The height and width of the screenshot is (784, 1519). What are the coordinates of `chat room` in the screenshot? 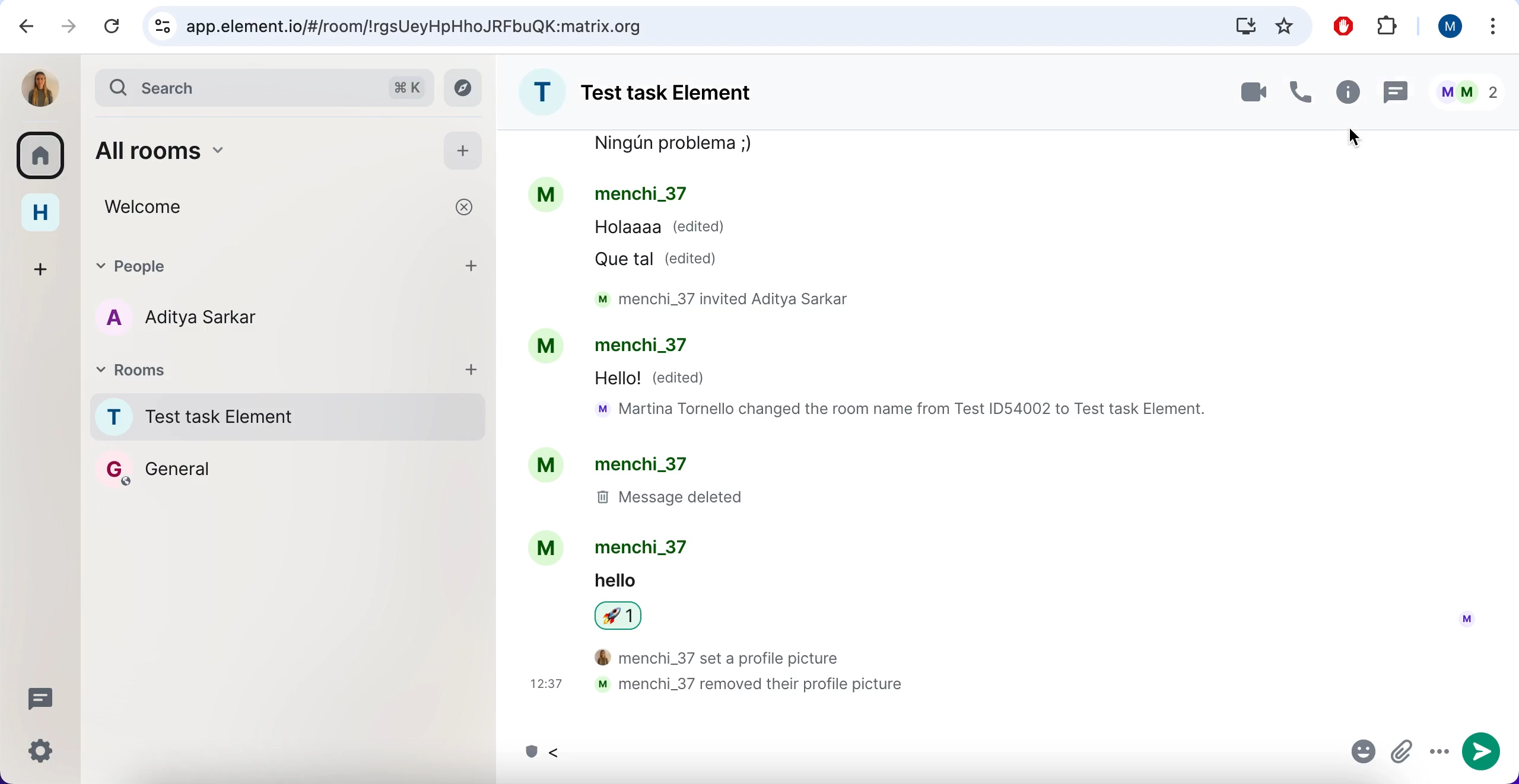 It's located at (1000, 425).